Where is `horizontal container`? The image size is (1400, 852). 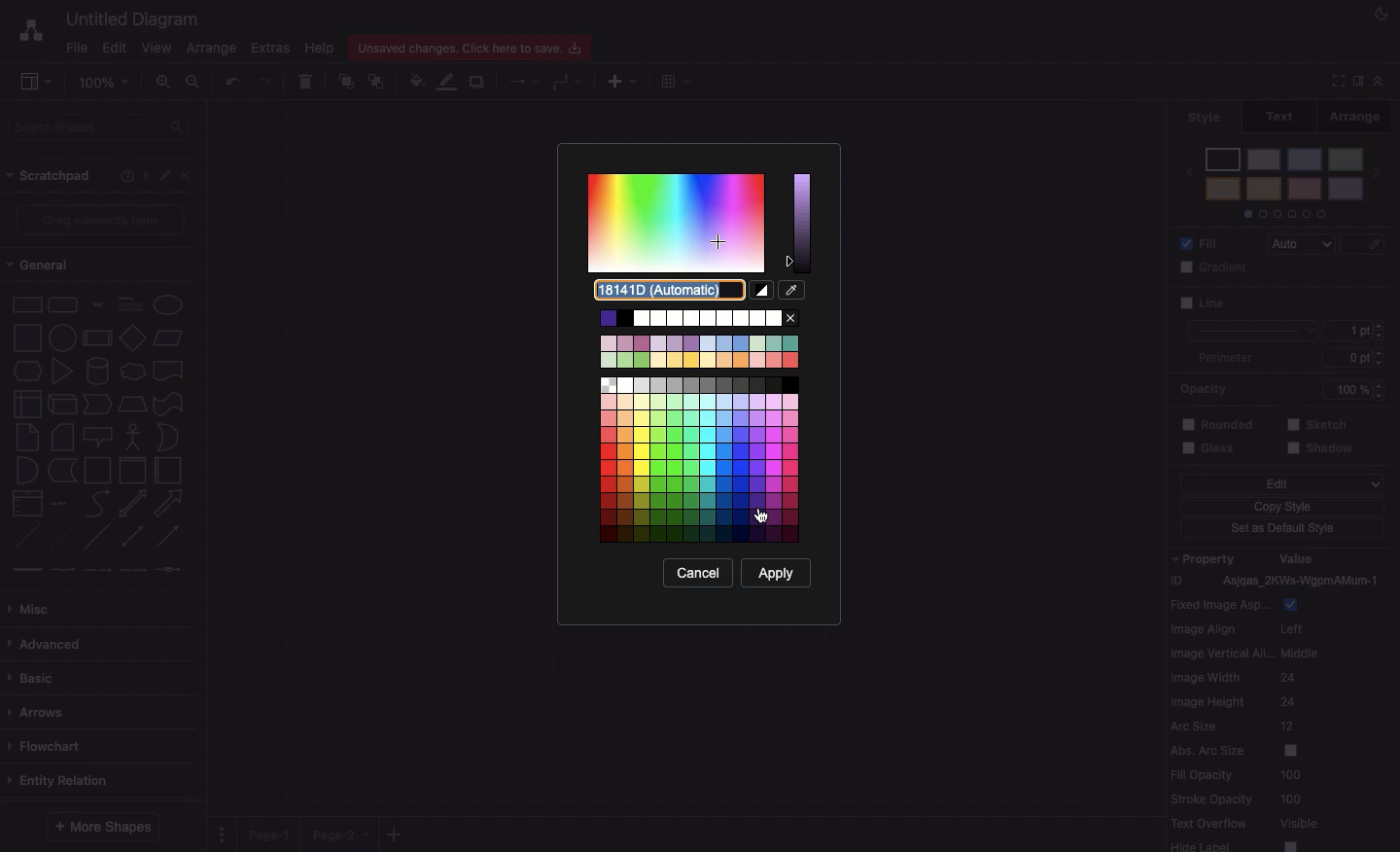
horizontal container is located at coordinates (166, 471).